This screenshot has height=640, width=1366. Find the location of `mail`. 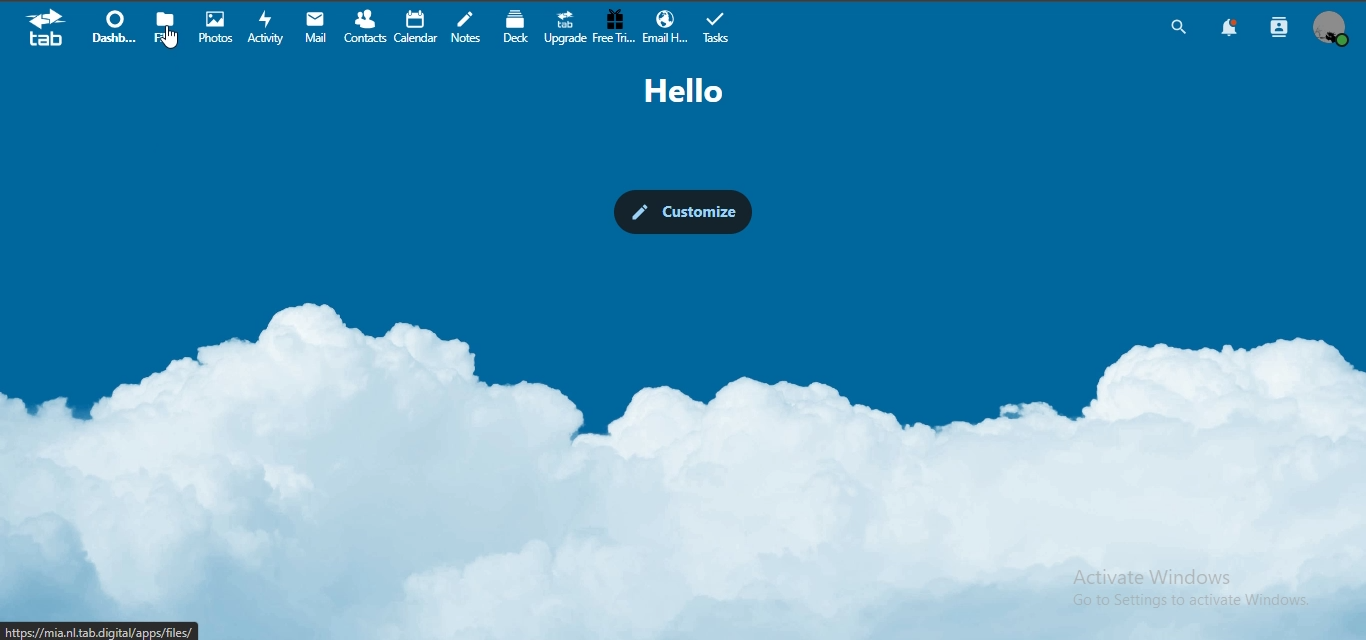

mail is located at coordinates (318, 26).